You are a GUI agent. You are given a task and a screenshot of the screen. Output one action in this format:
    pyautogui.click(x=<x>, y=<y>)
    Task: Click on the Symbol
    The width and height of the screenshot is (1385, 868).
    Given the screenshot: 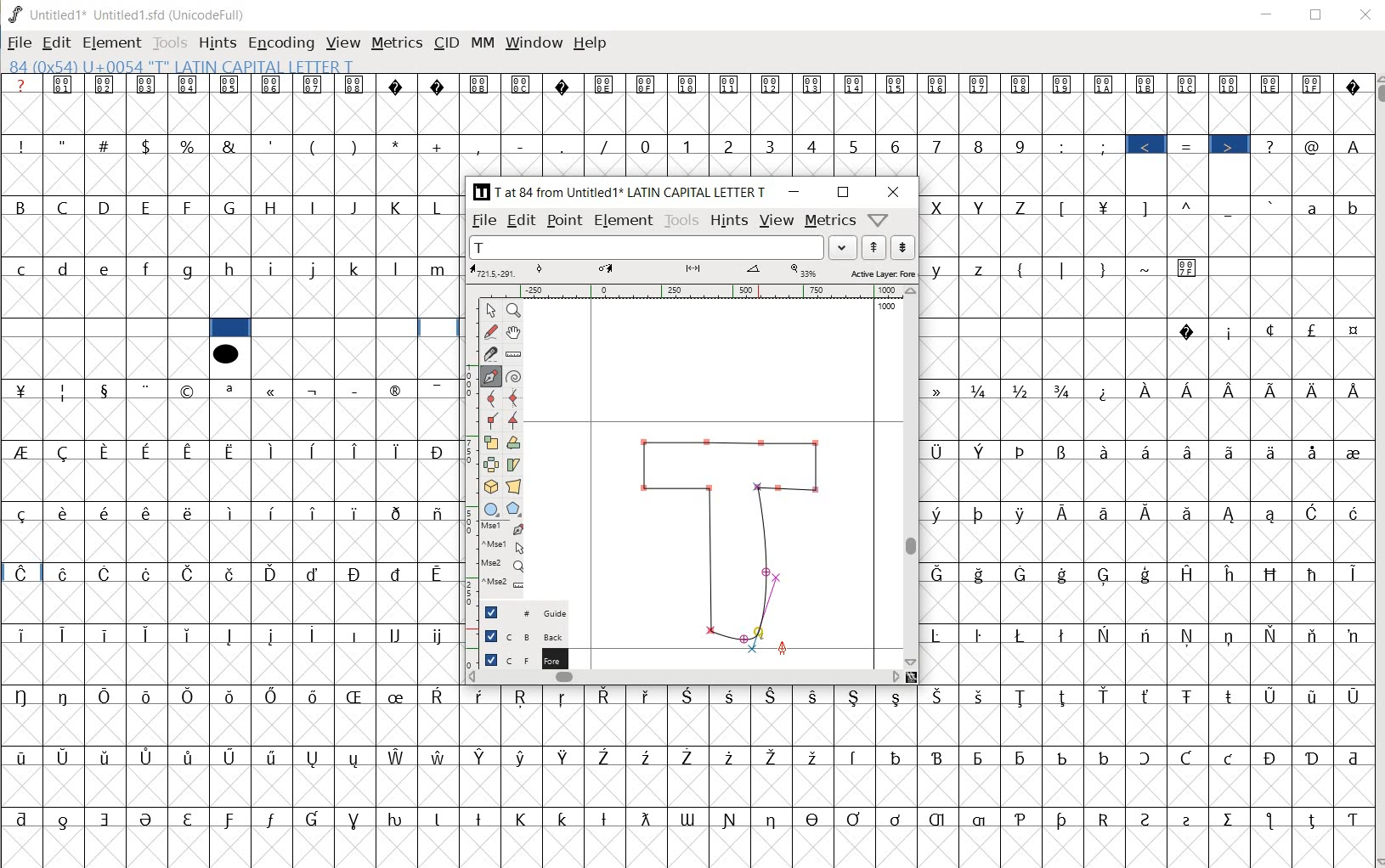 What is the action you would take?
    pyautogui.click(x=1025, y=513)
    